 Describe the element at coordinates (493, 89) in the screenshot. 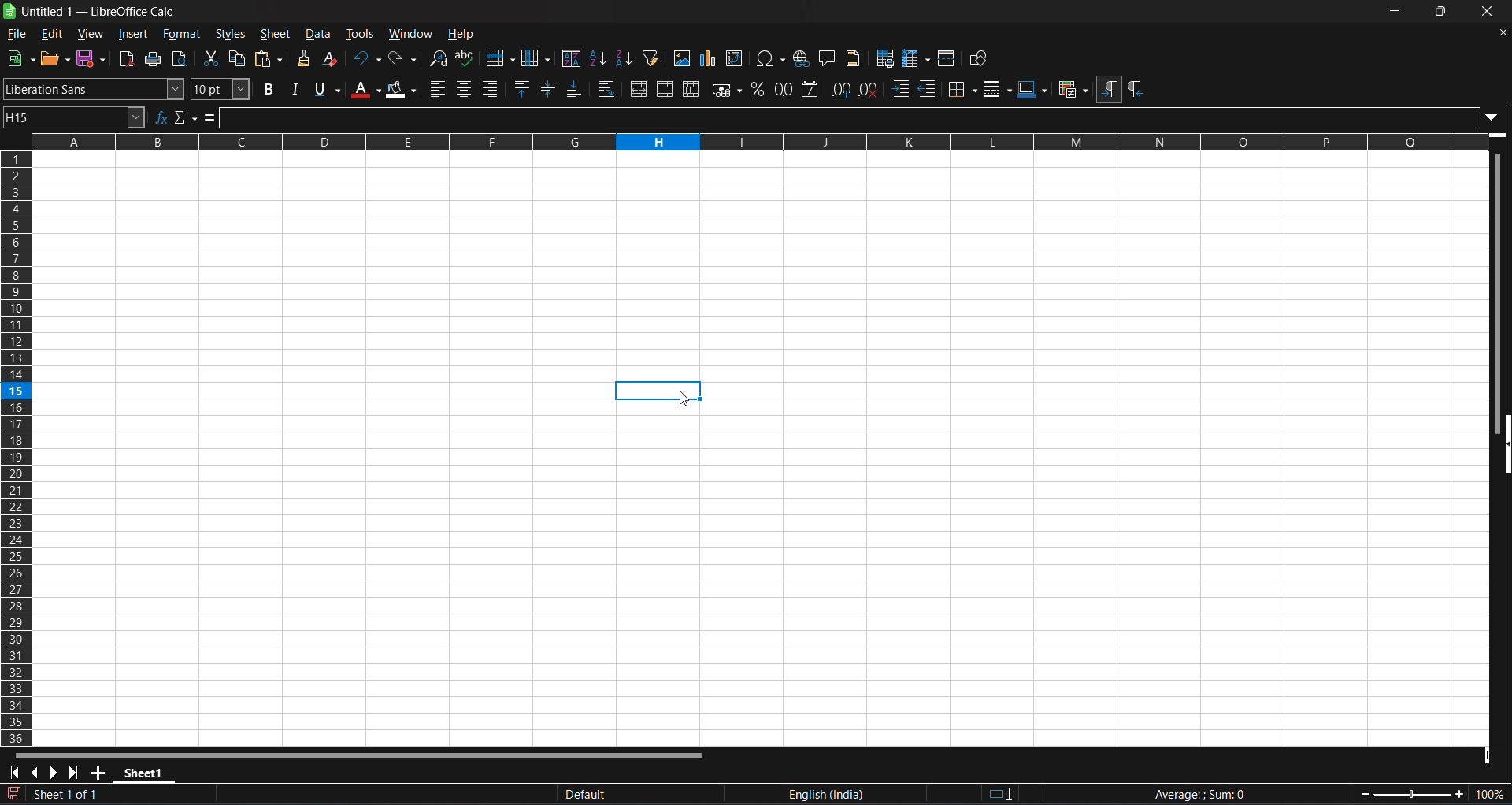

I see `align right` at that location.